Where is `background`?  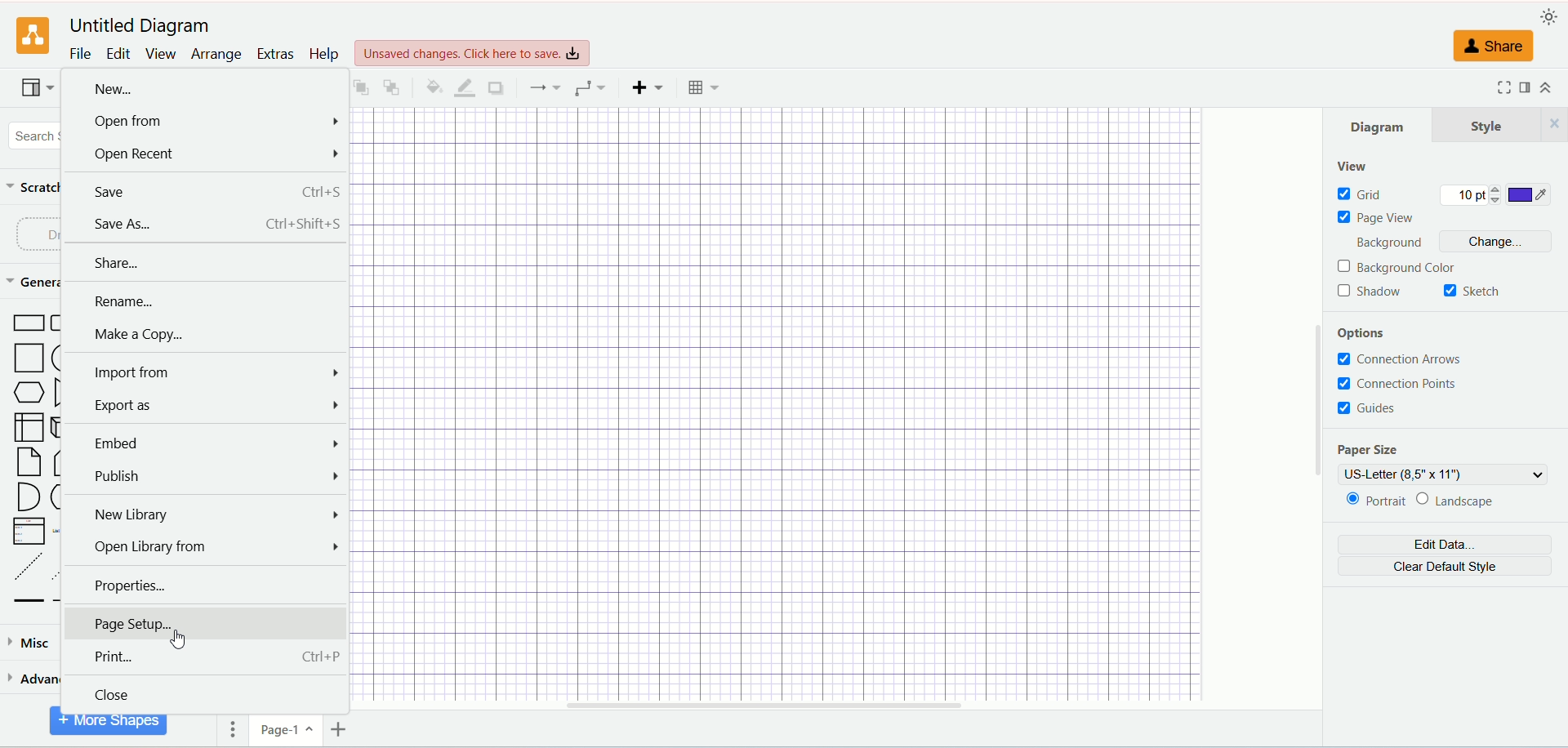 background is located at coordinates (1396, 244).